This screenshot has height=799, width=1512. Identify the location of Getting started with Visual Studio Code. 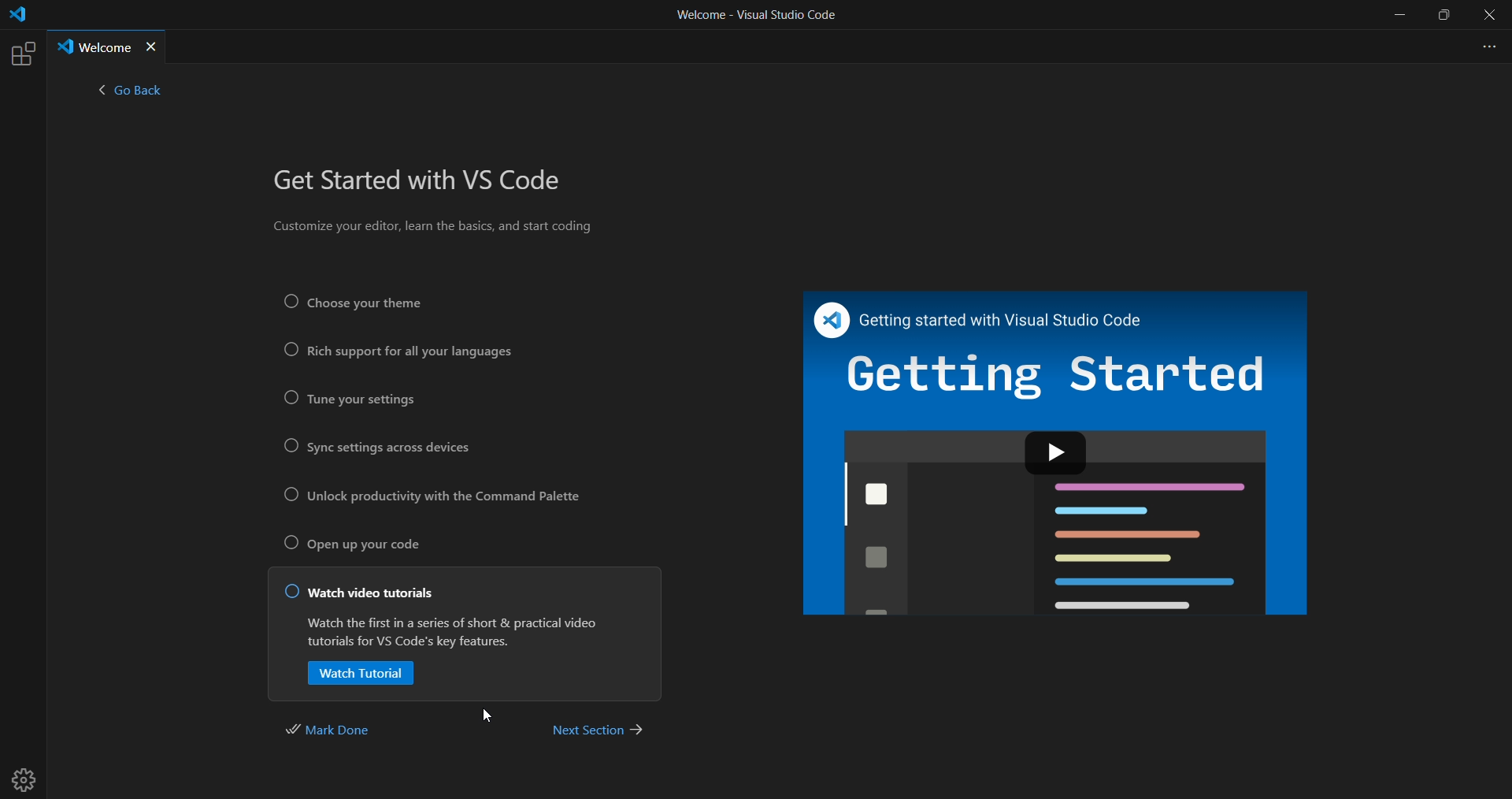
(1058, 318).